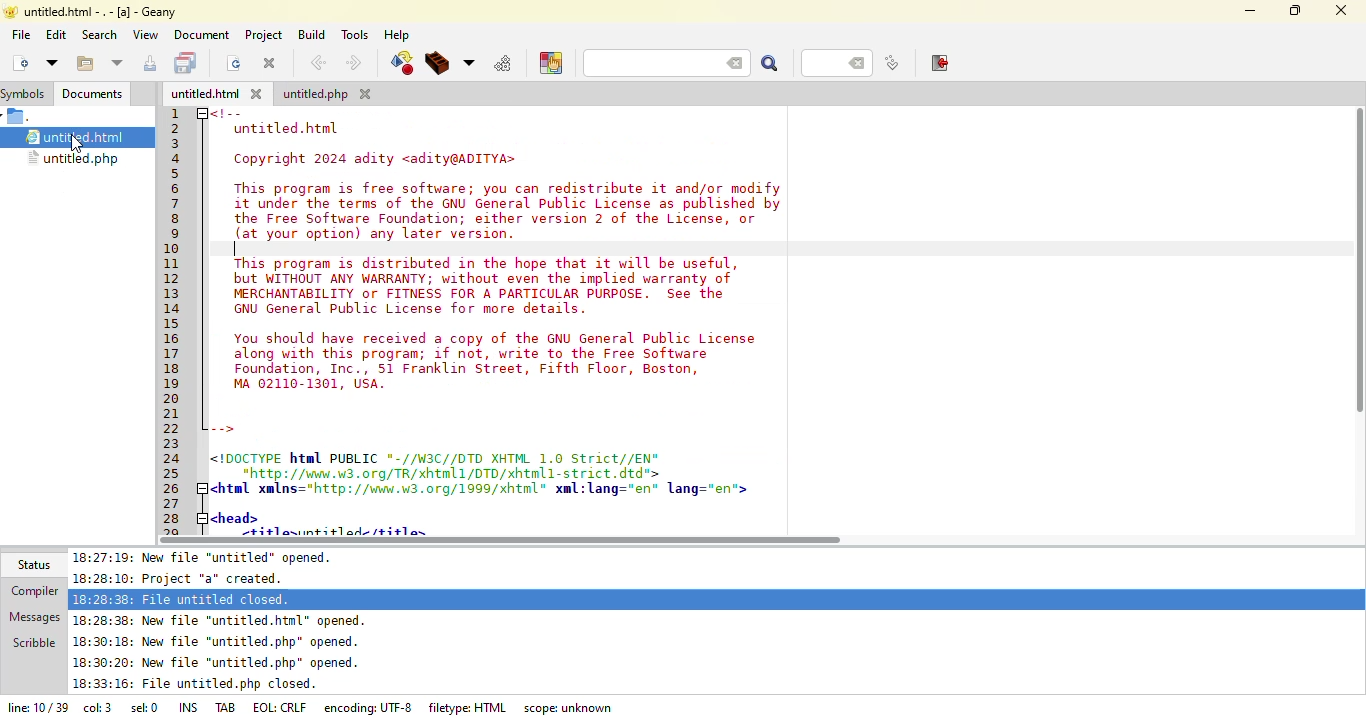  What do you see at coordinates (34, 589) in the screenshot?
I see `compiler` at bounding box center [34, 589].